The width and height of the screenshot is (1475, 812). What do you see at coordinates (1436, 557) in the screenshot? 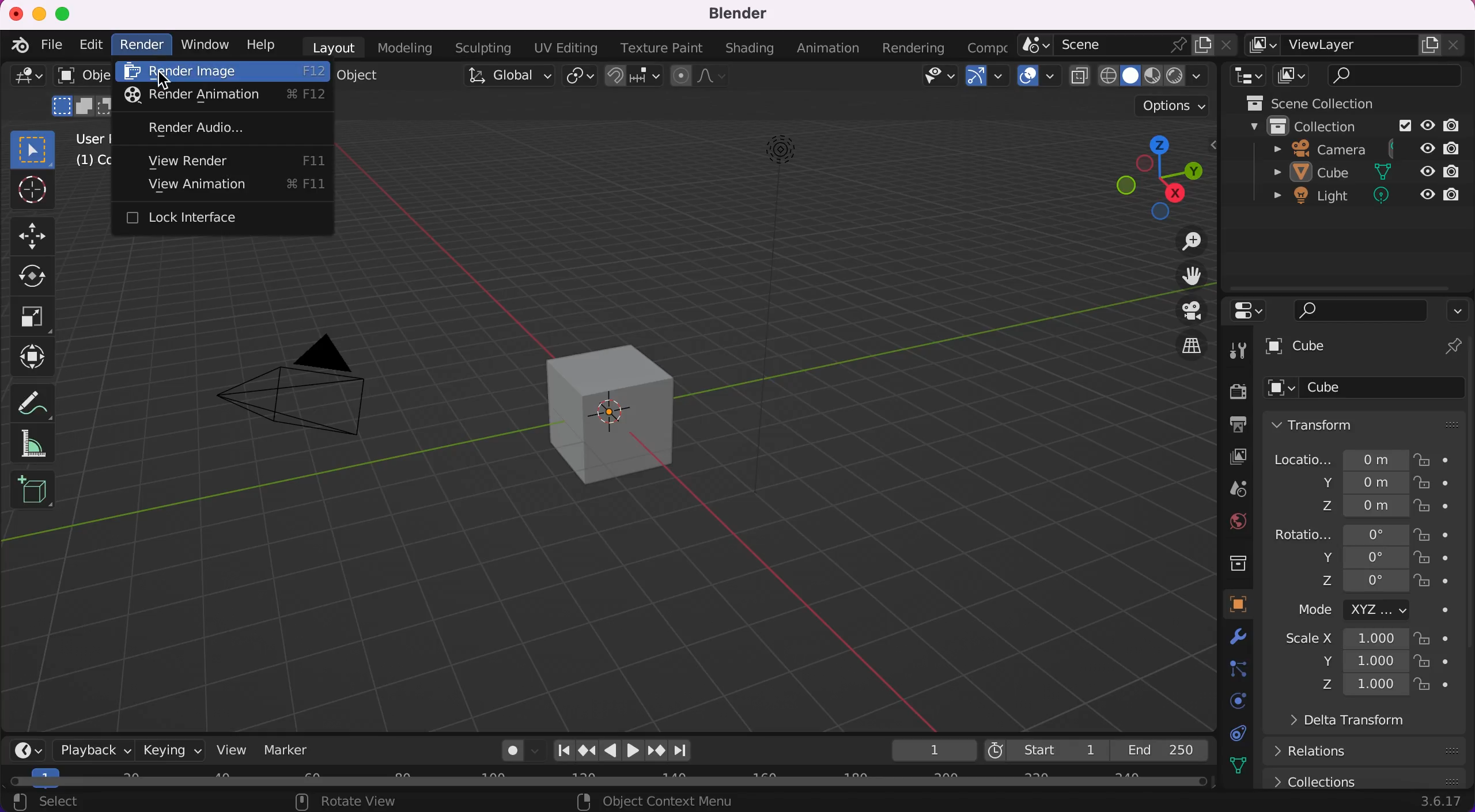
I see `lock` at bounding box center [1436, 557].